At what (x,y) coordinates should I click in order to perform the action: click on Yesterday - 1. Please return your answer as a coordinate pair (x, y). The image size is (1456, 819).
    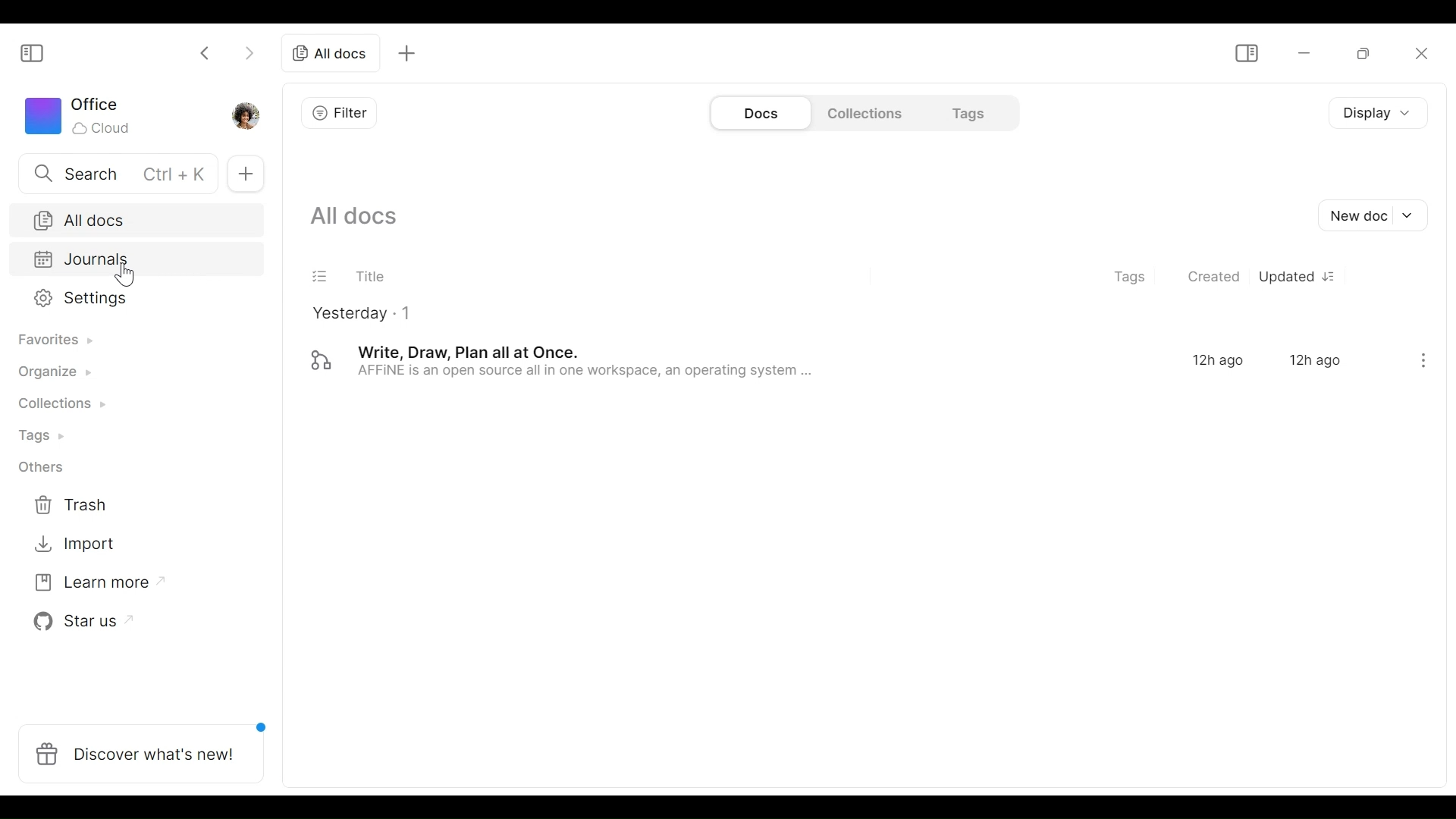
    Looking at the image, I should click on (359, 312).